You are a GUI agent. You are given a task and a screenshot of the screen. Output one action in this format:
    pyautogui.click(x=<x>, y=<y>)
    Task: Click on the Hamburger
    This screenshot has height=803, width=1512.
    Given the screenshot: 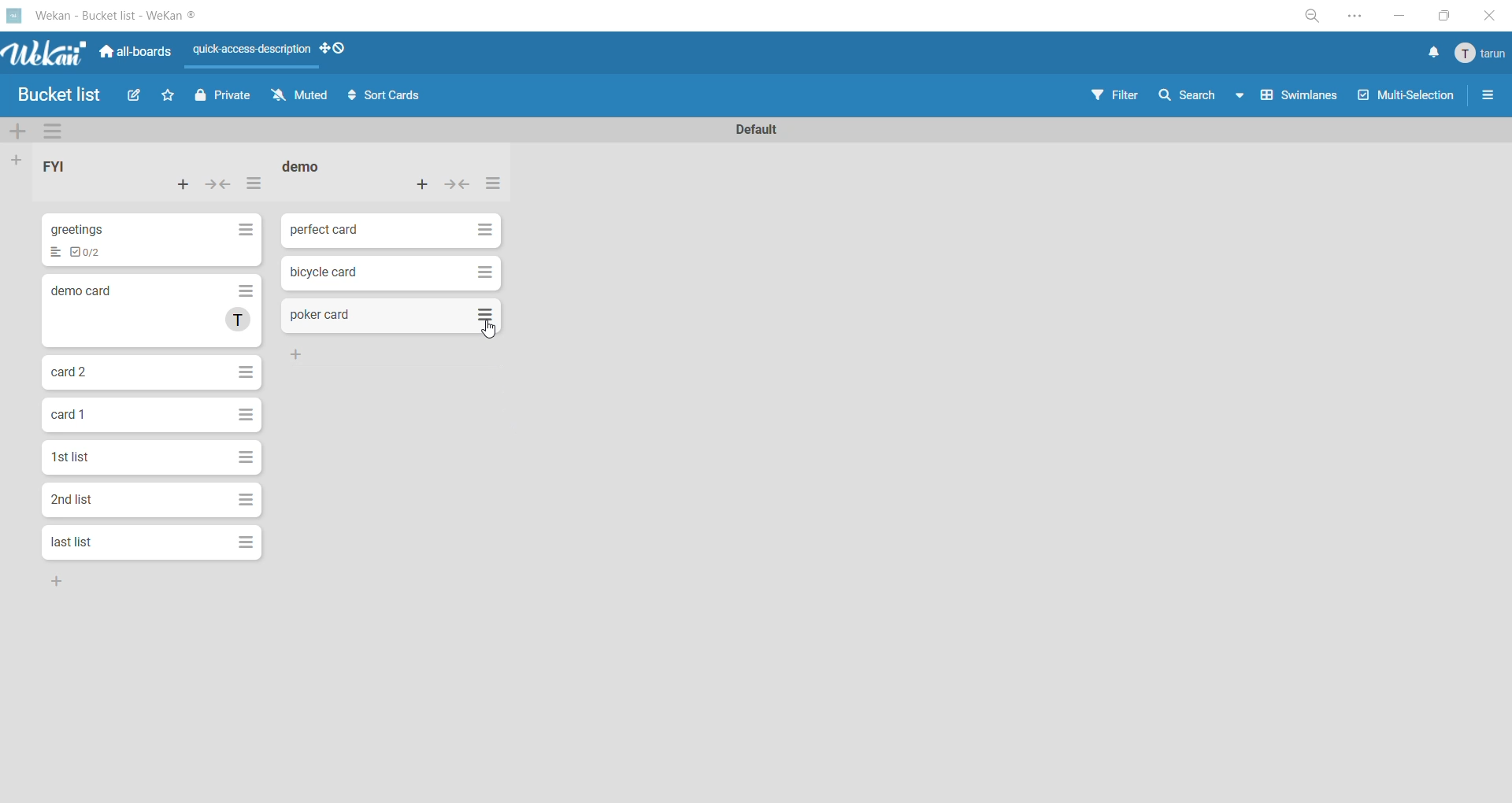 What is the action you would take?
    pyautogui.click(x=487, y=272)
    